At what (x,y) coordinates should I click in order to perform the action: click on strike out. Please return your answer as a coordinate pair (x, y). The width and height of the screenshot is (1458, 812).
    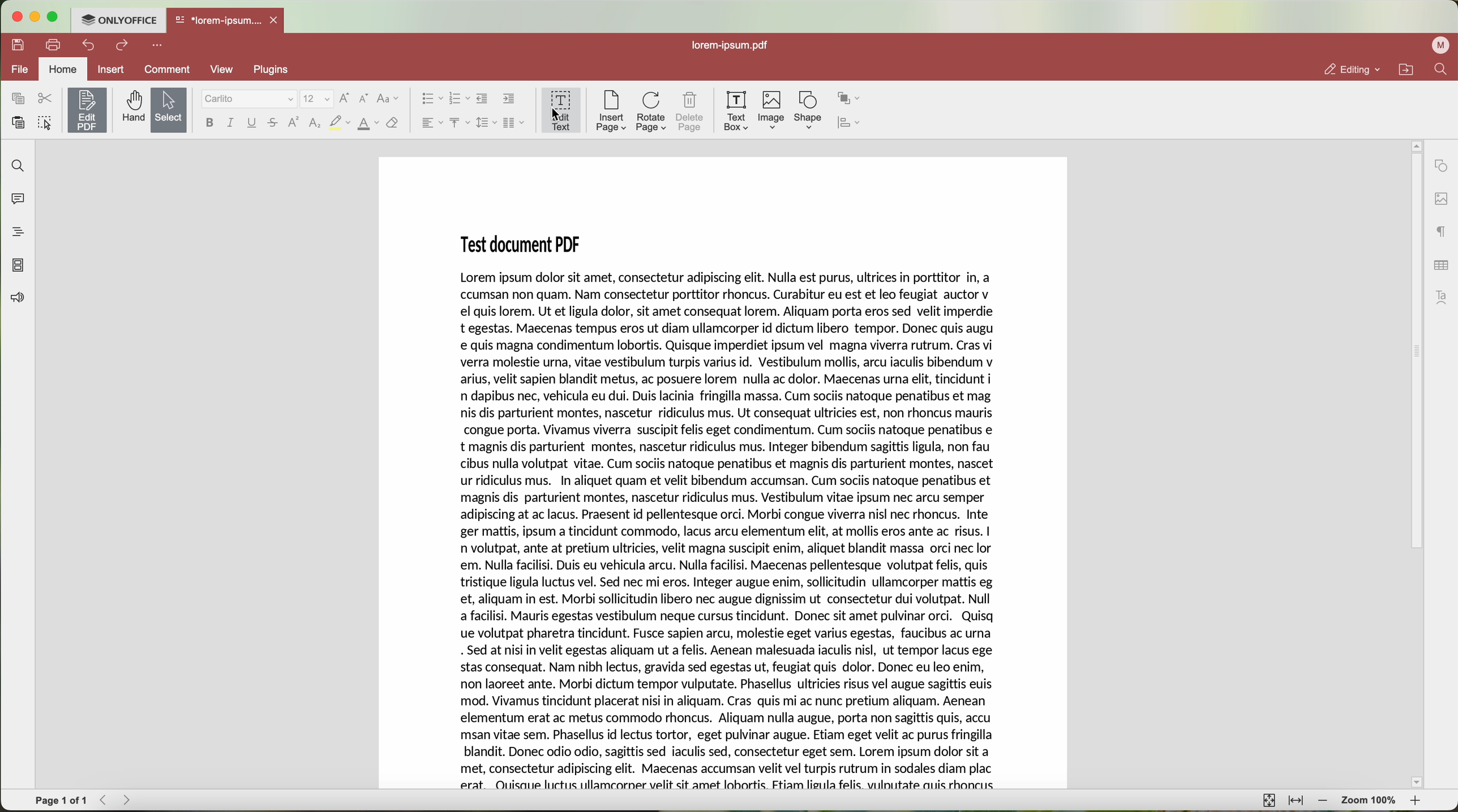
    Looking at the image, I should click on (276, 123).